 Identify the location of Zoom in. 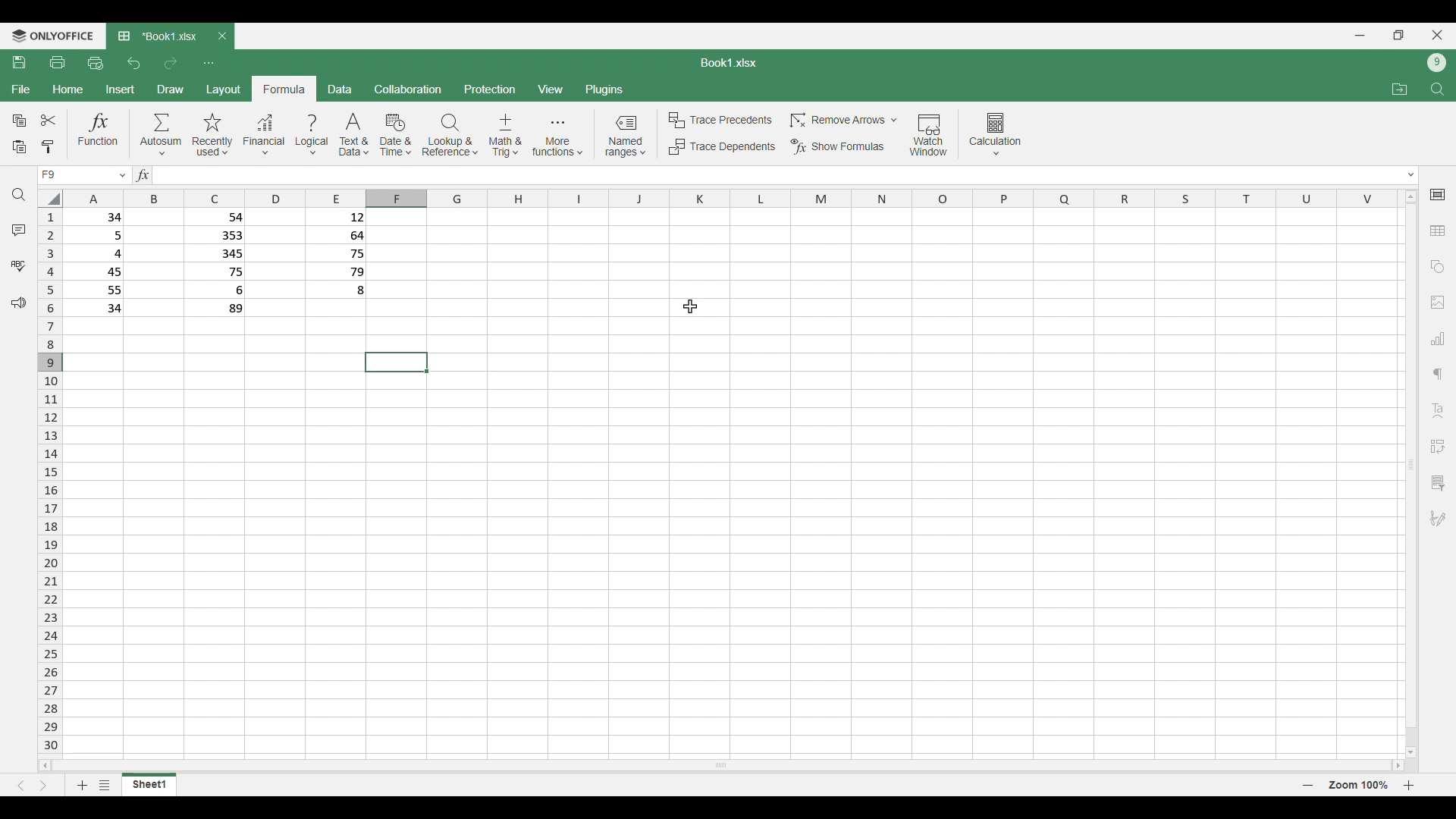
(1409, 785).